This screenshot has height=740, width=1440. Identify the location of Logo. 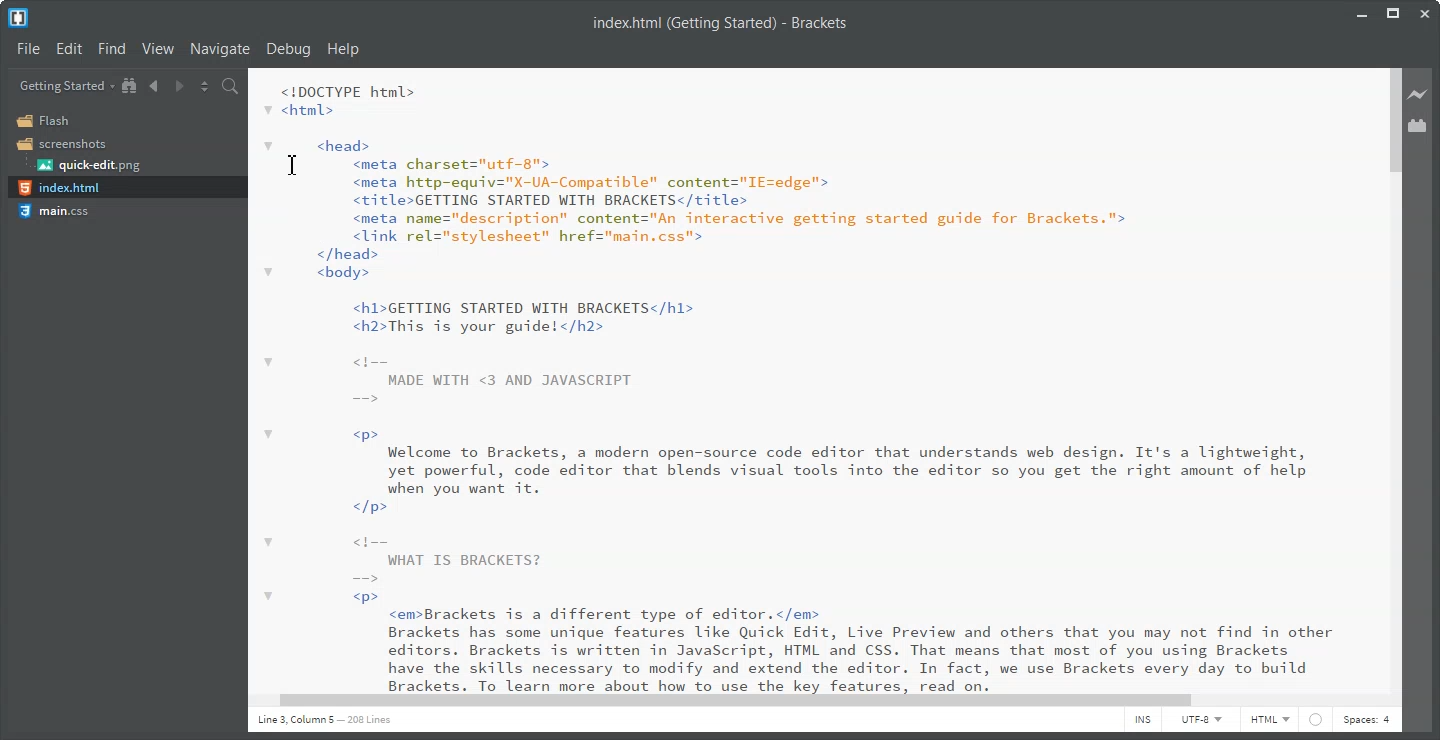
(20, 19).